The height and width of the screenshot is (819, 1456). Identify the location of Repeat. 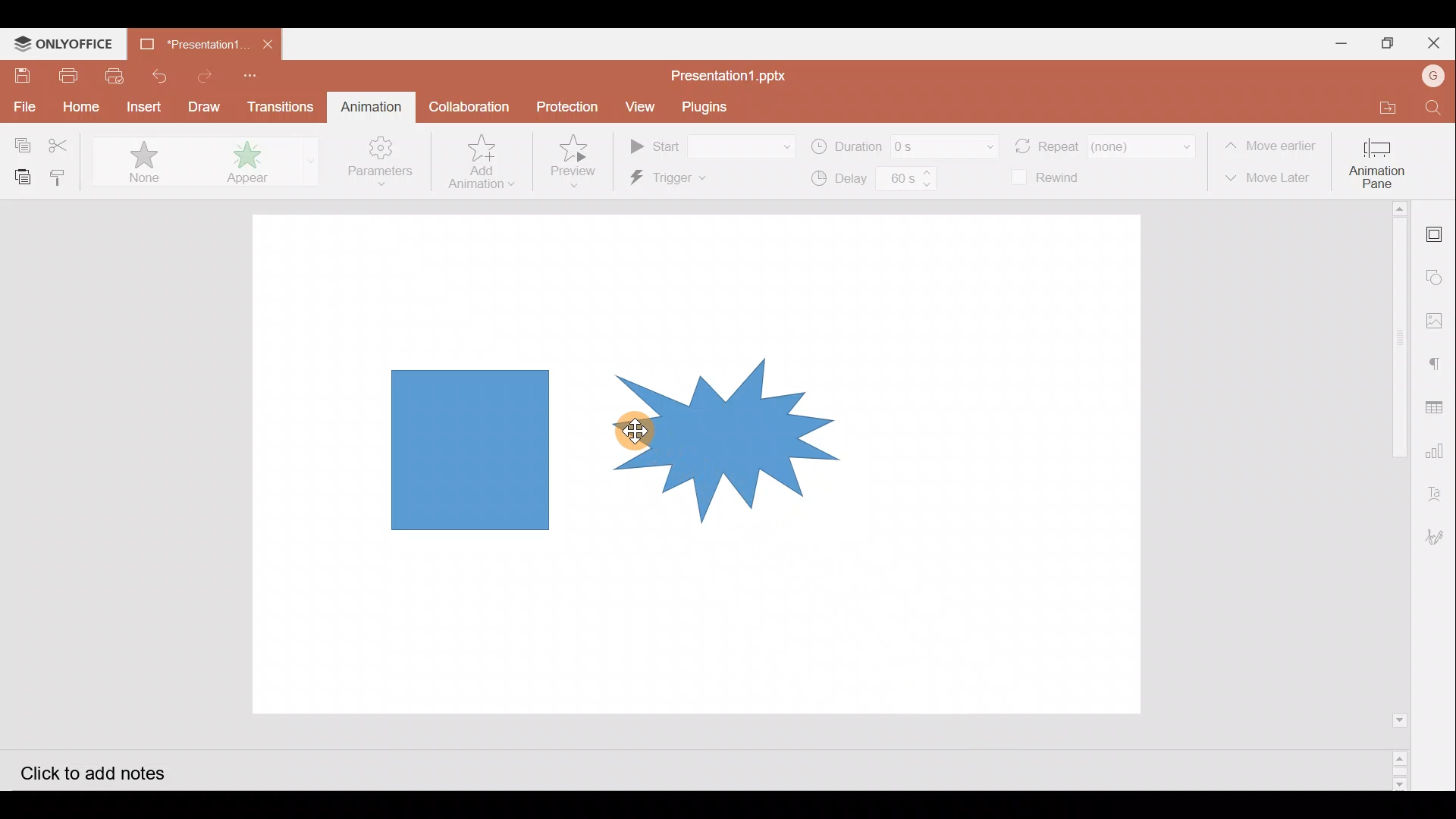
(1103, 140).